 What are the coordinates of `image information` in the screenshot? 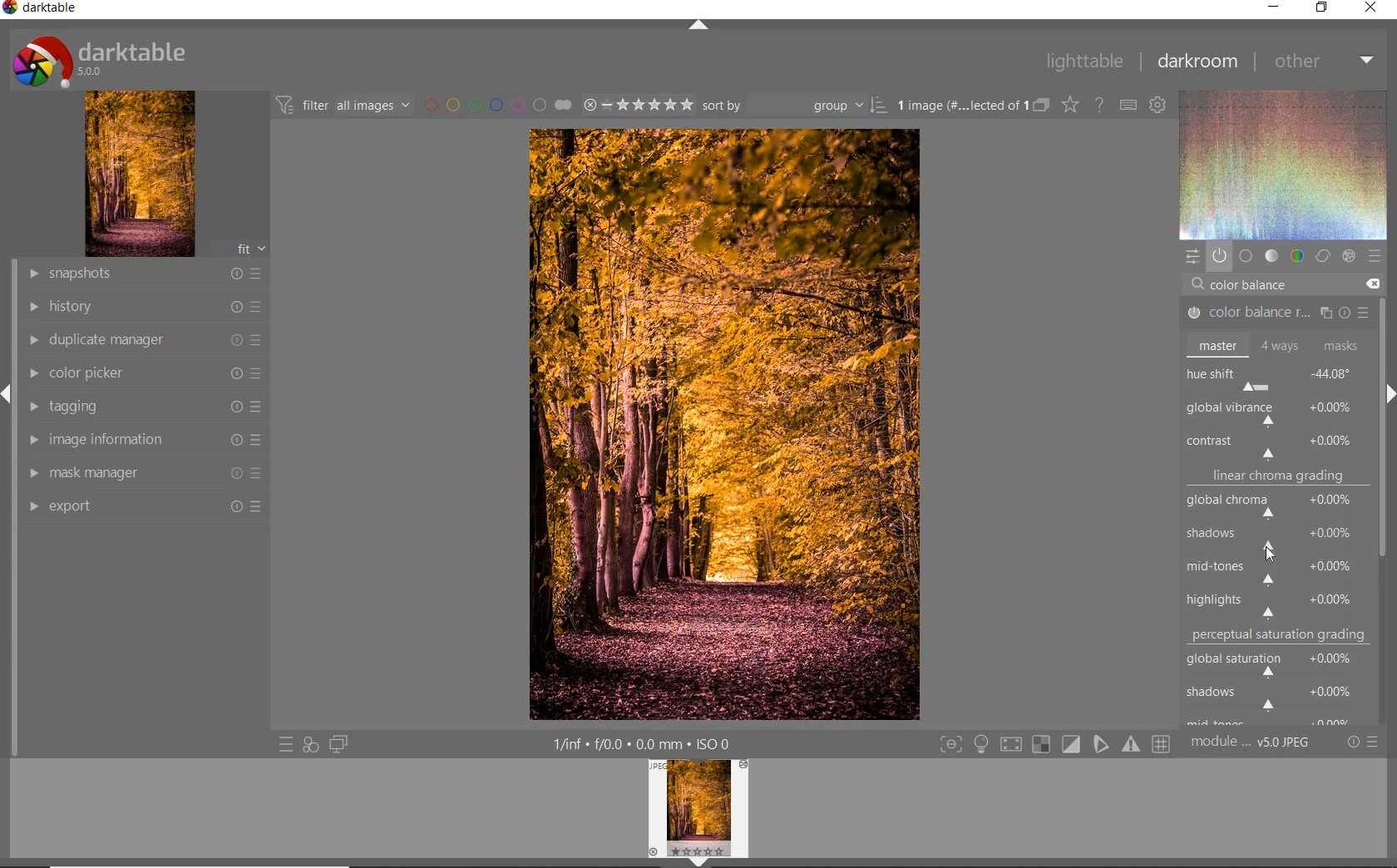 It's located at (141, 439).